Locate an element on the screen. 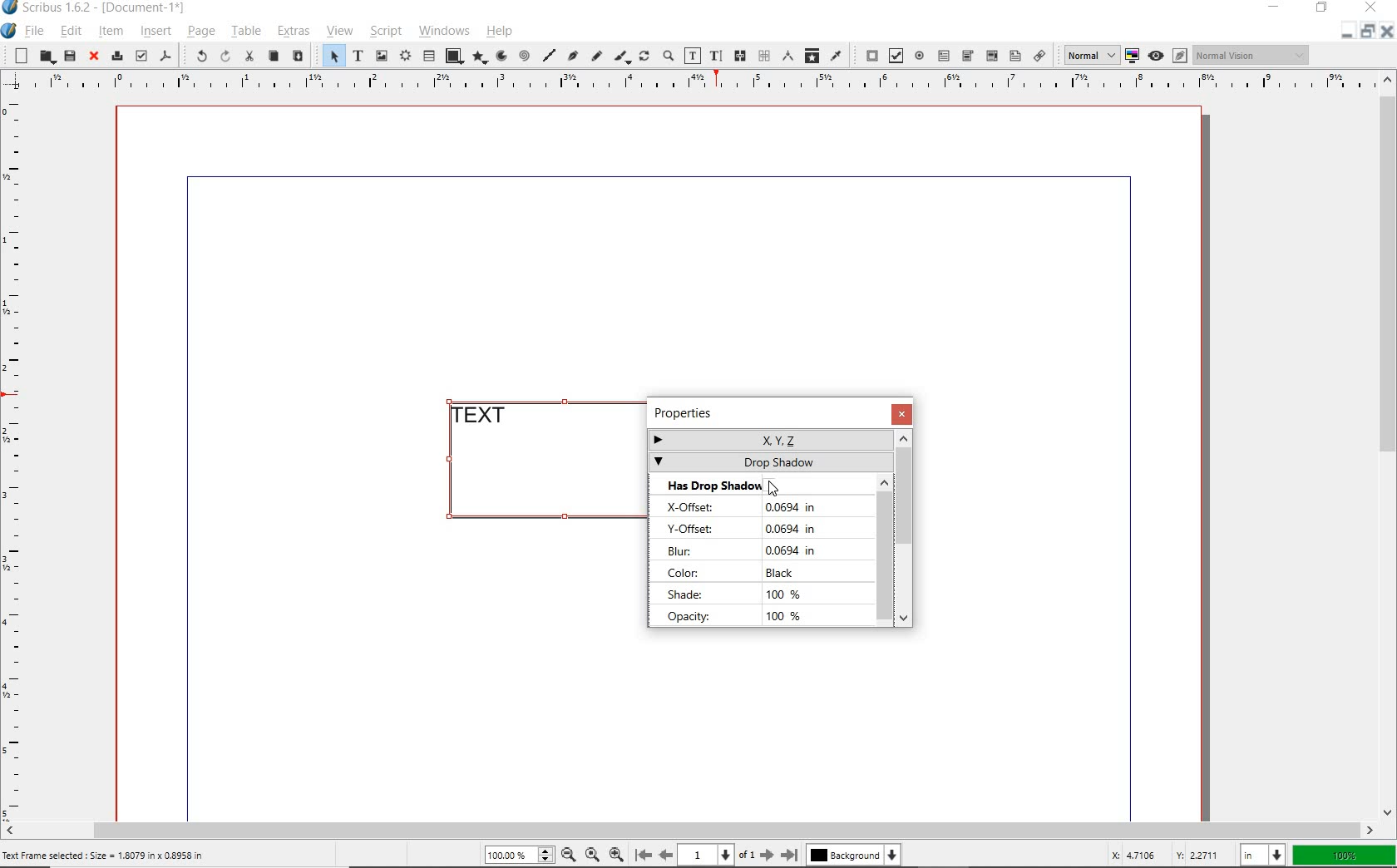 The height and width of the screenshot is (868, 1397). Last Page is located at coordinates (791, 855).